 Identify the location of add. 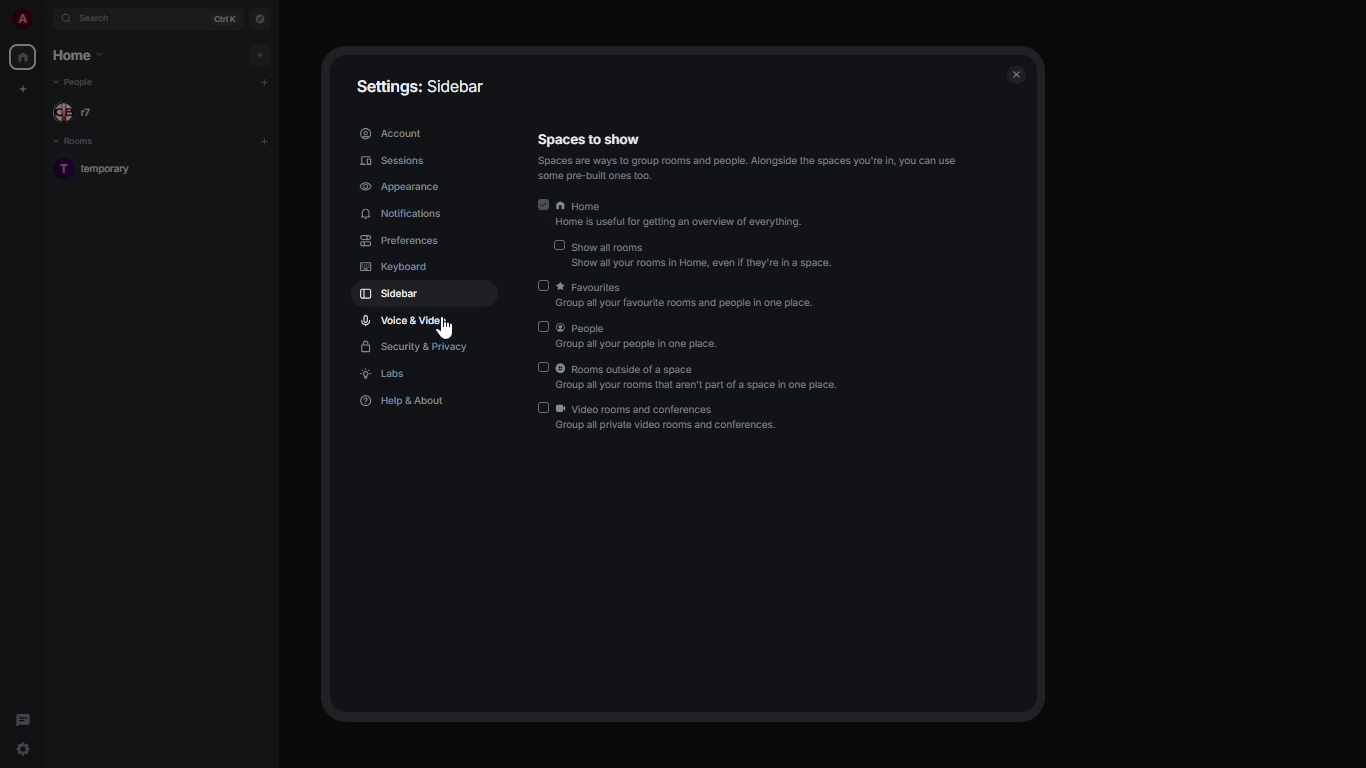
(264, 142).